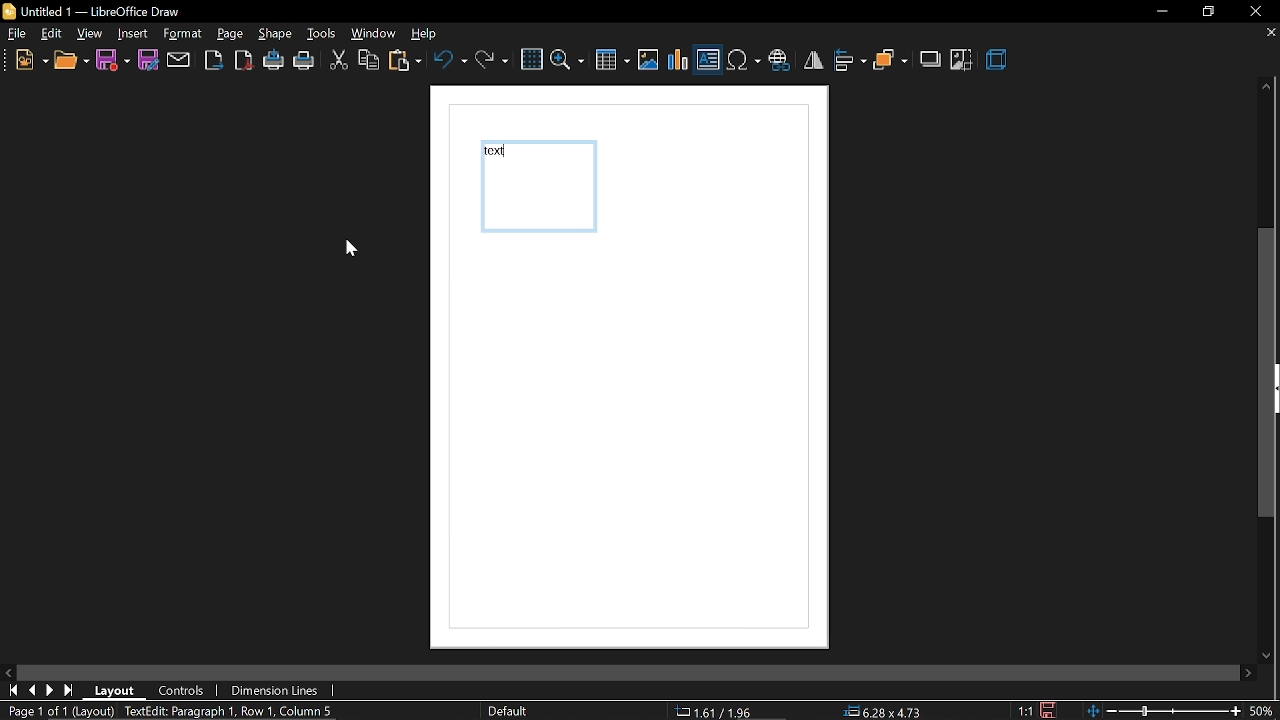 The image size is (1280, 720). I want to click on save as, so click(148, 60).